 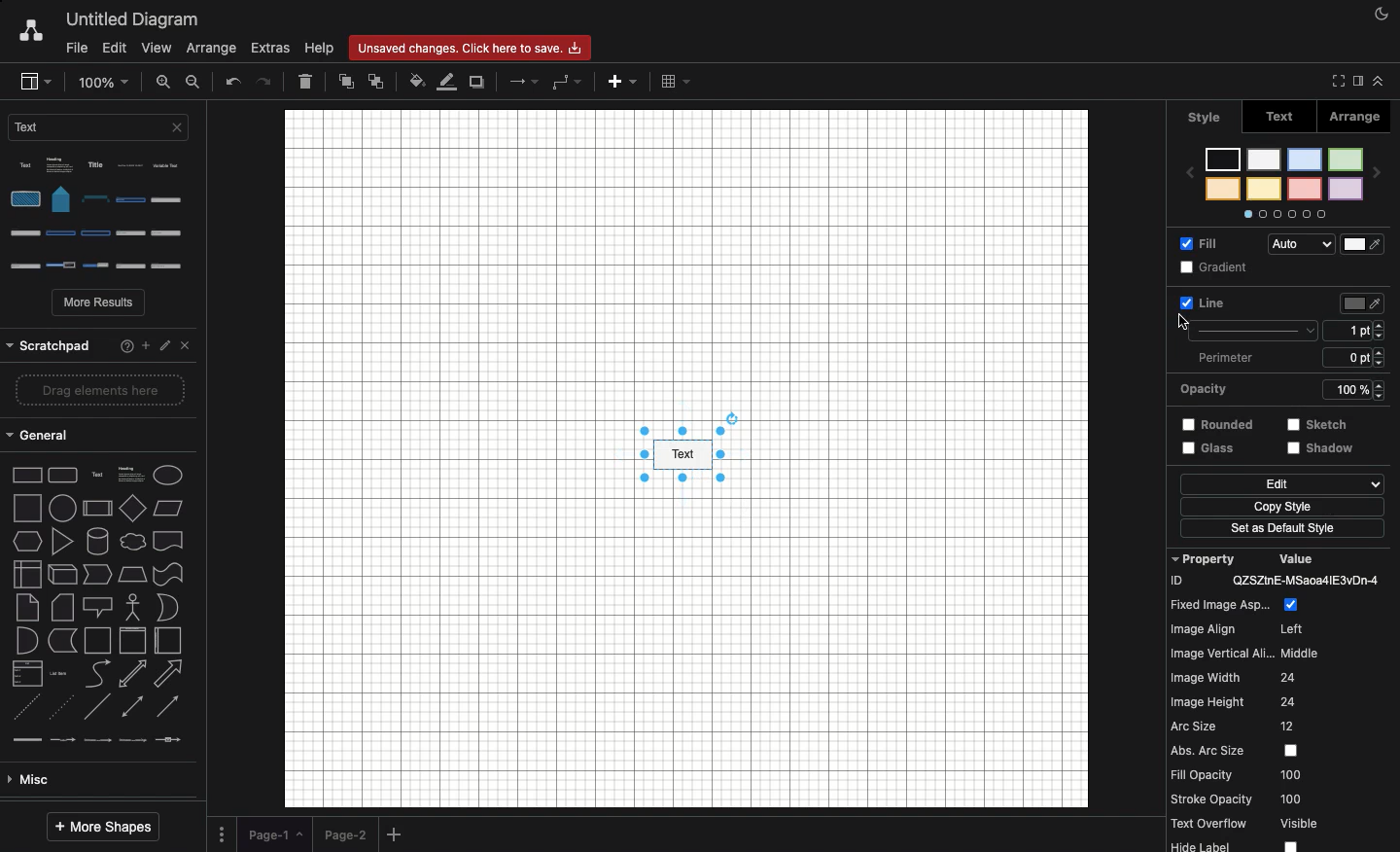 What do you see at coordinates (1223, 267) in the screenshot?
I see `Line` at bounding box center [1223, 267].